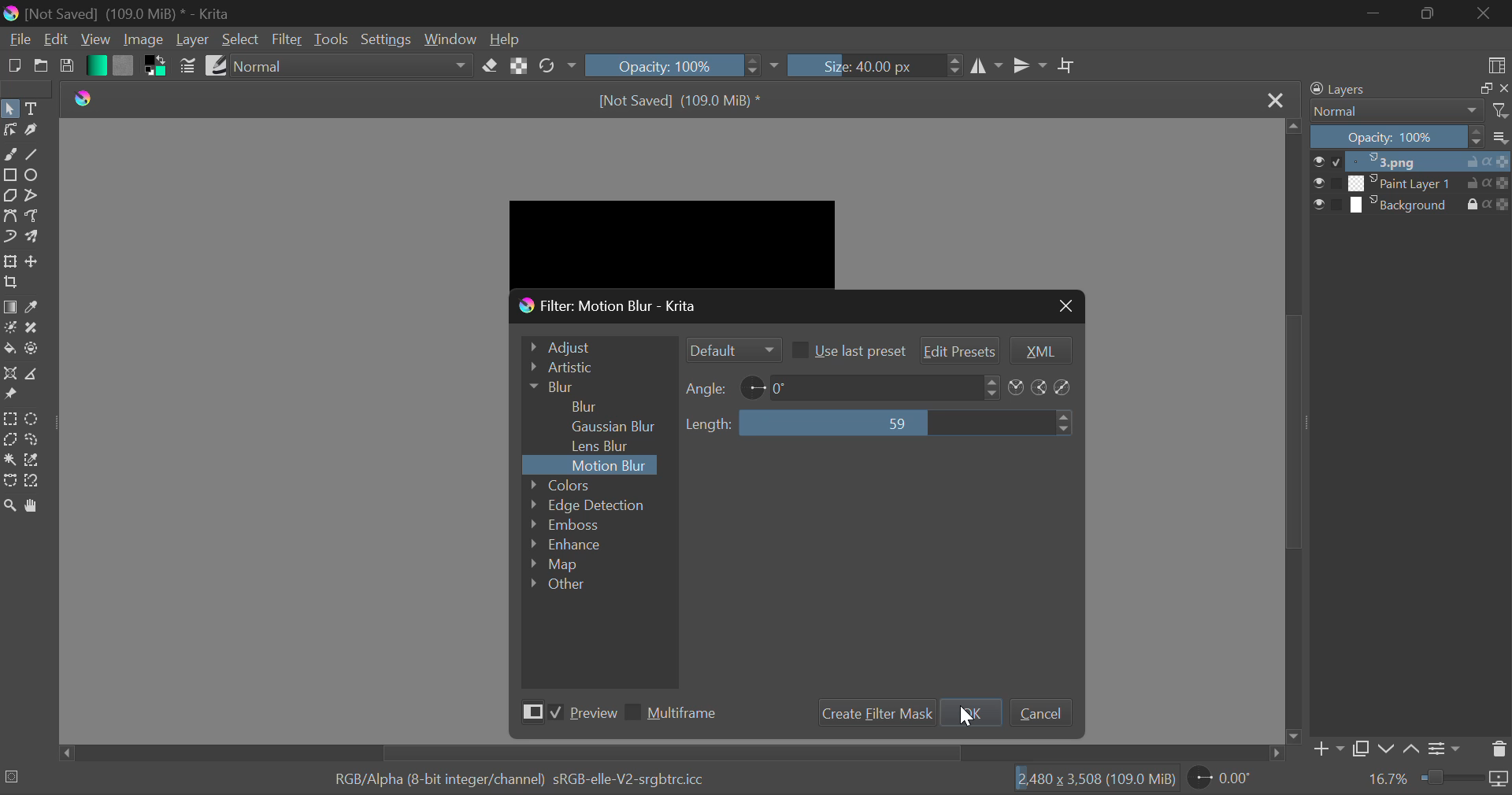  Describe the element at coordinates (563, 524) in the screenshot. I see `Emboss` at that location.